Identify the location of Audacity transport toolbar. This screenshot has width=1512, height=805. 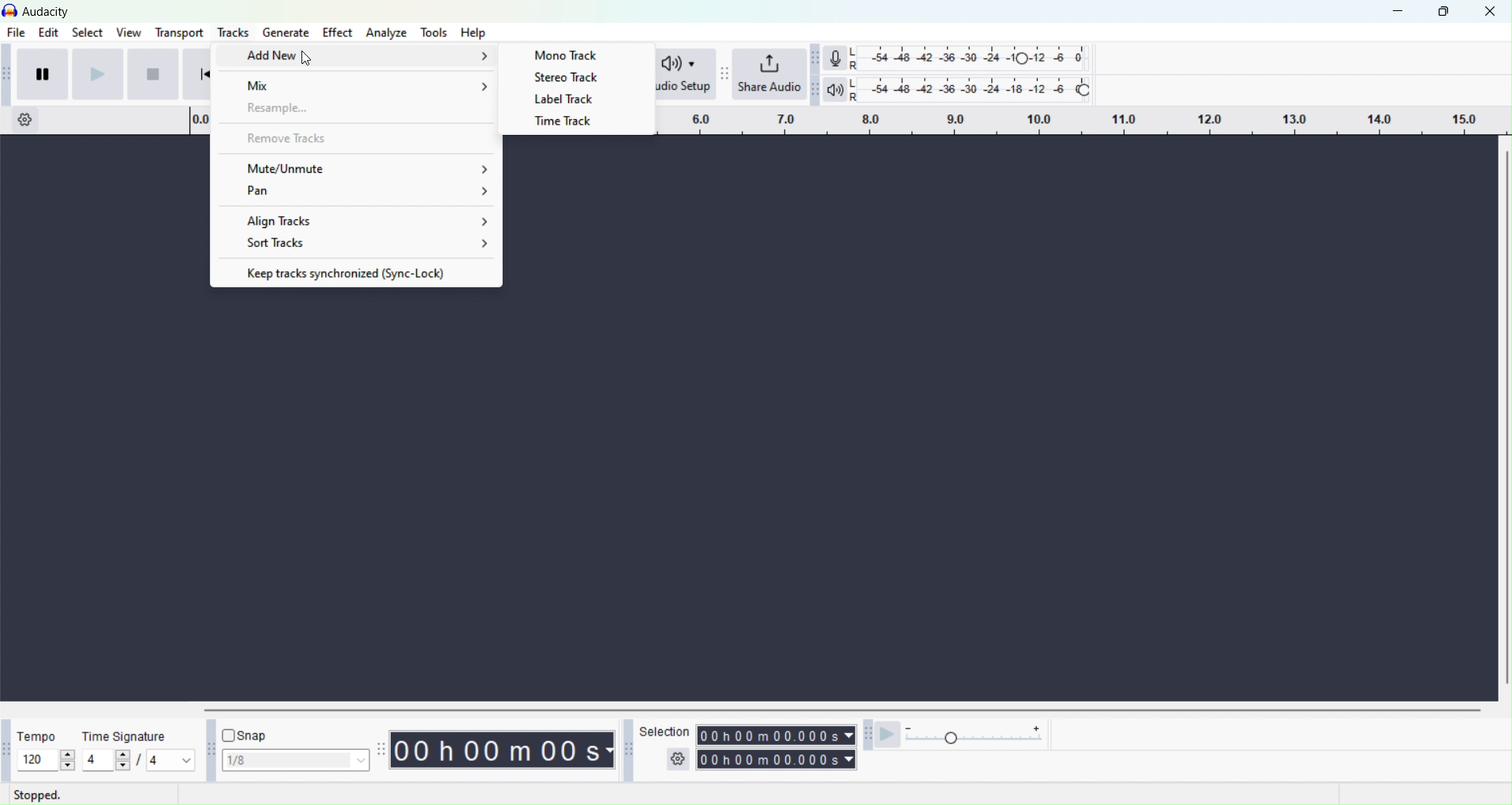
(9, 73).